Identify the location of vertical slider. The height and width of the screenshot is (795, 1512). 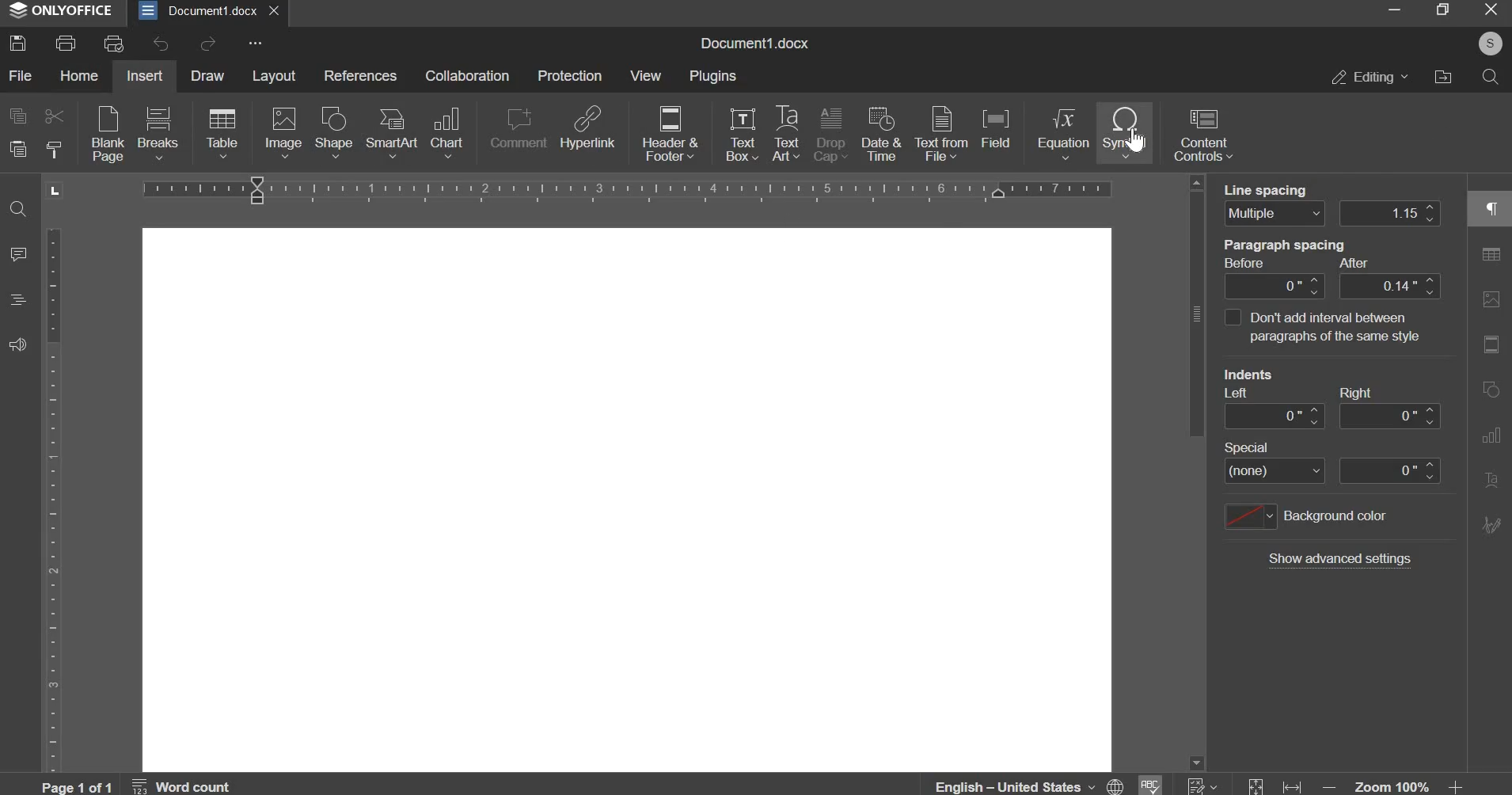
(1196, 473).